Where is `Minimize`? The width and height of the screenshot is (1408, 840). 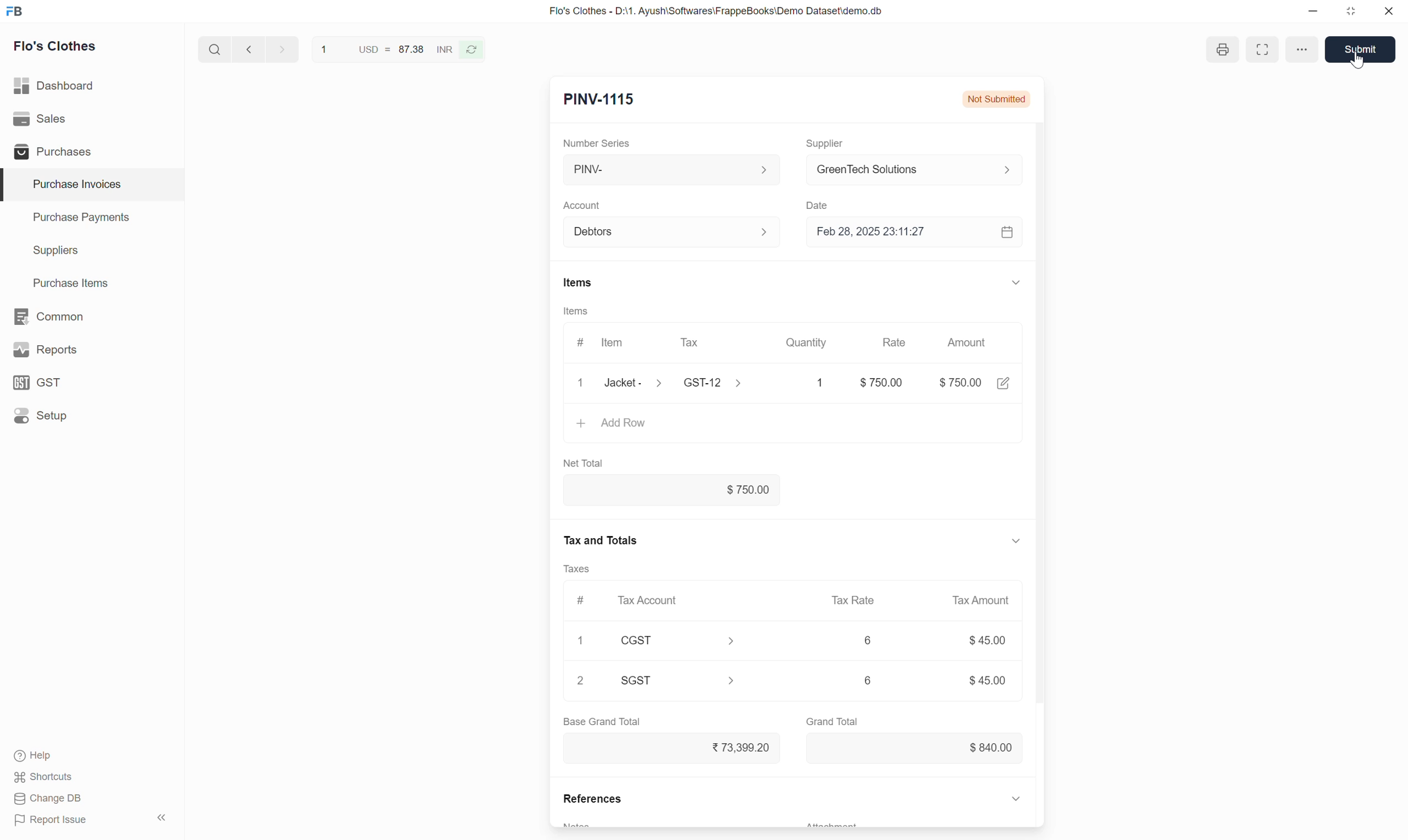
Minimize is located at coordinates (1313, 11).